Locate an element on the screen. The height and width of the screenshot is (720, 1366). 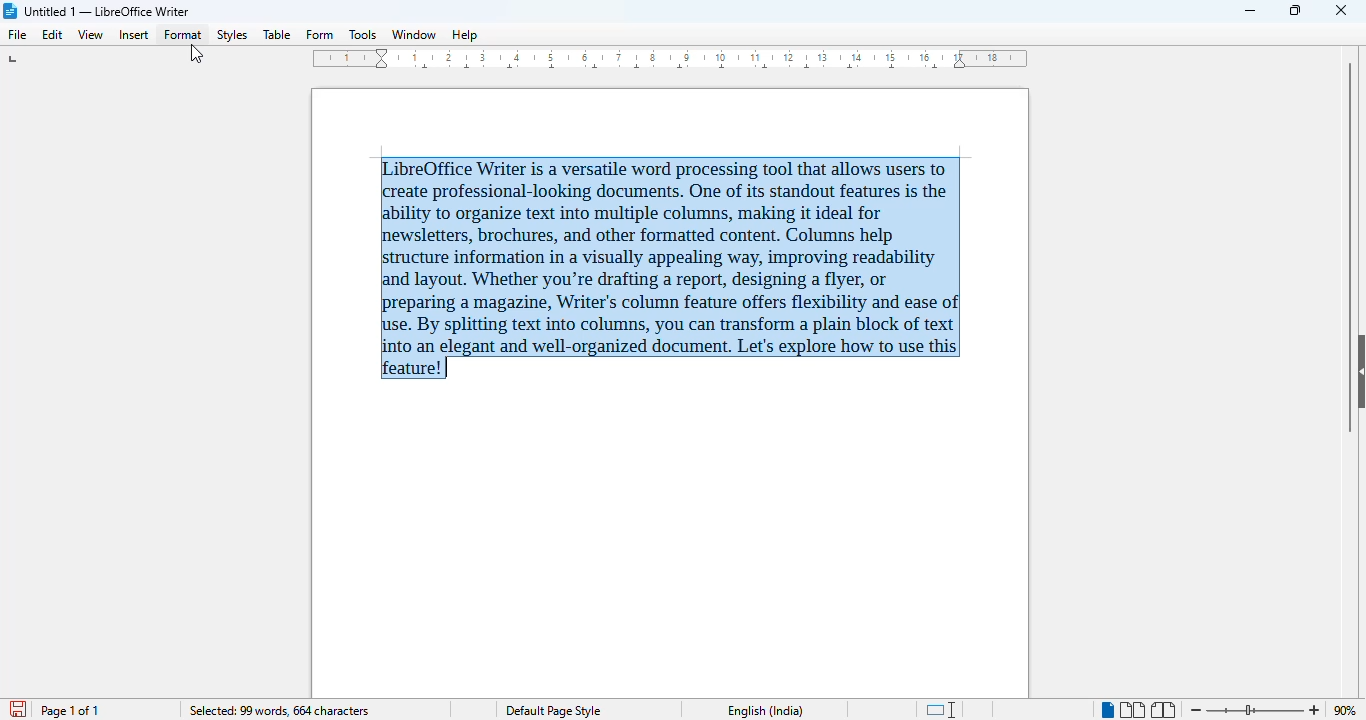
tools is located at coordinates (362, 34).